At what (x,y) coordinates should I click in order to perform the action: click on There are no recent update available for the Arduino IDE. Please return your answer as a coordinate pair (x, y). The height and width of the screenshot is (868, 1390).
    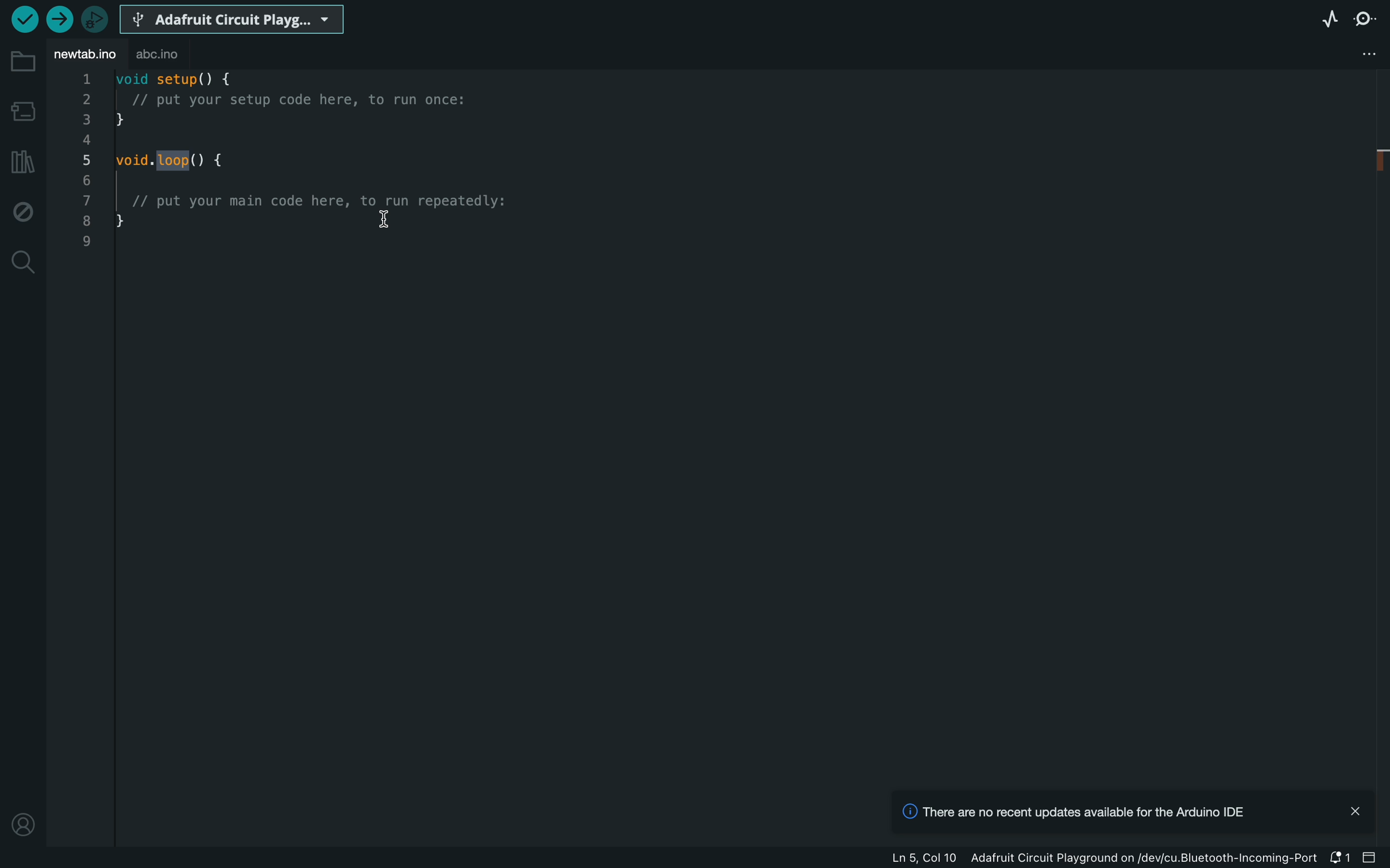
    Looking at the image, I should click on (1071, 814).